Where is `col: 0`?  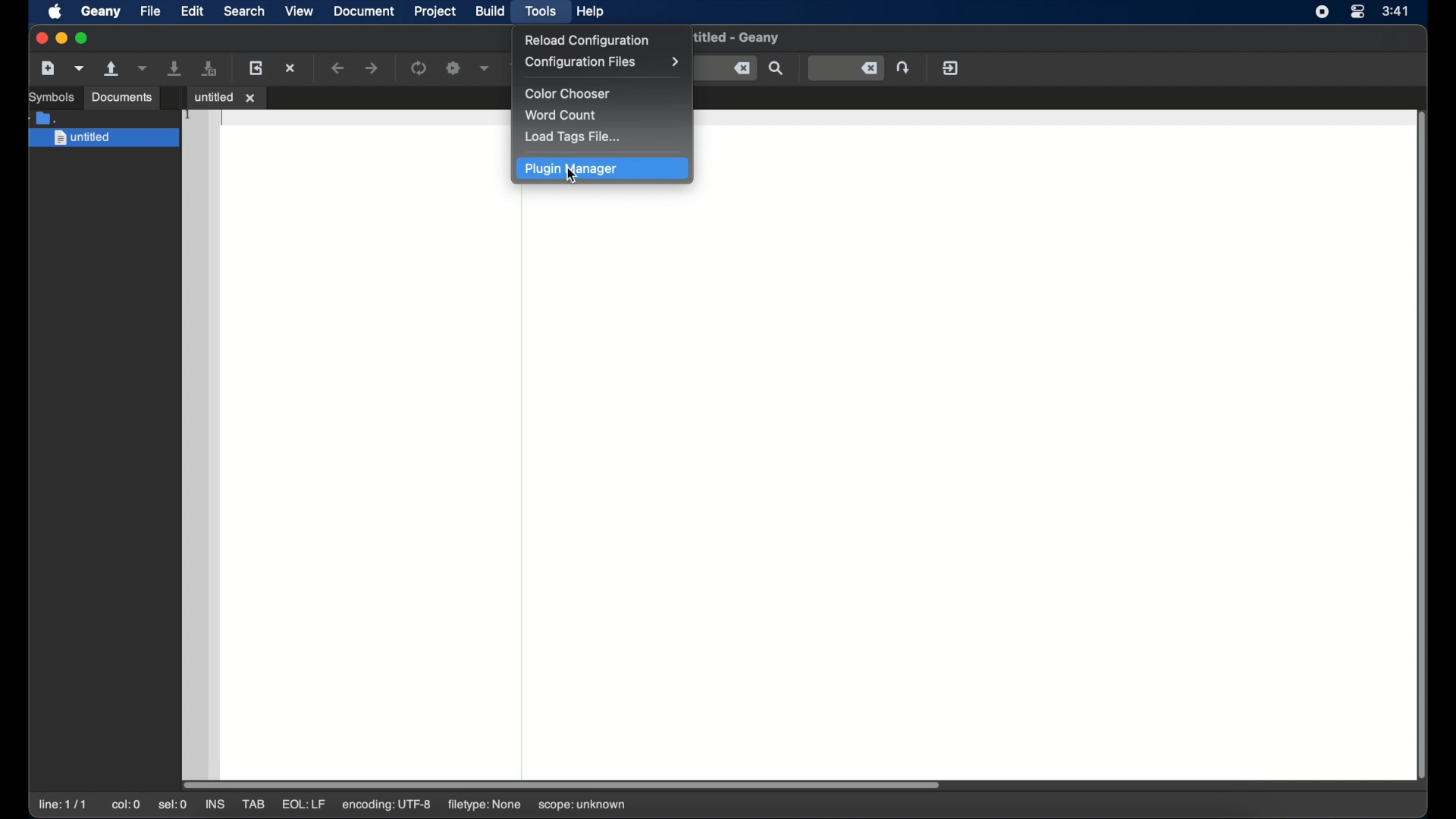 col: 0 is located at coordinates (126, 805).